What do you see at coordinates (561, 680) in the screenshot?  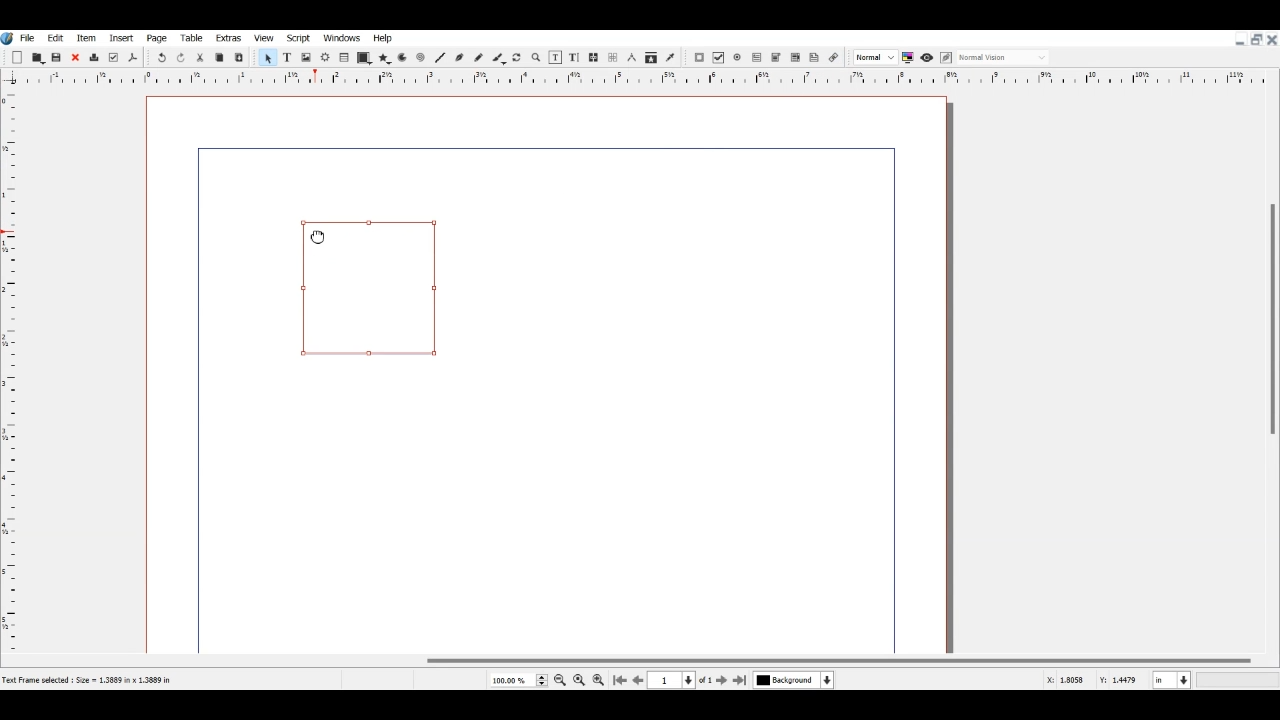 I see `Zoom out` at bounding box center [561, 680].